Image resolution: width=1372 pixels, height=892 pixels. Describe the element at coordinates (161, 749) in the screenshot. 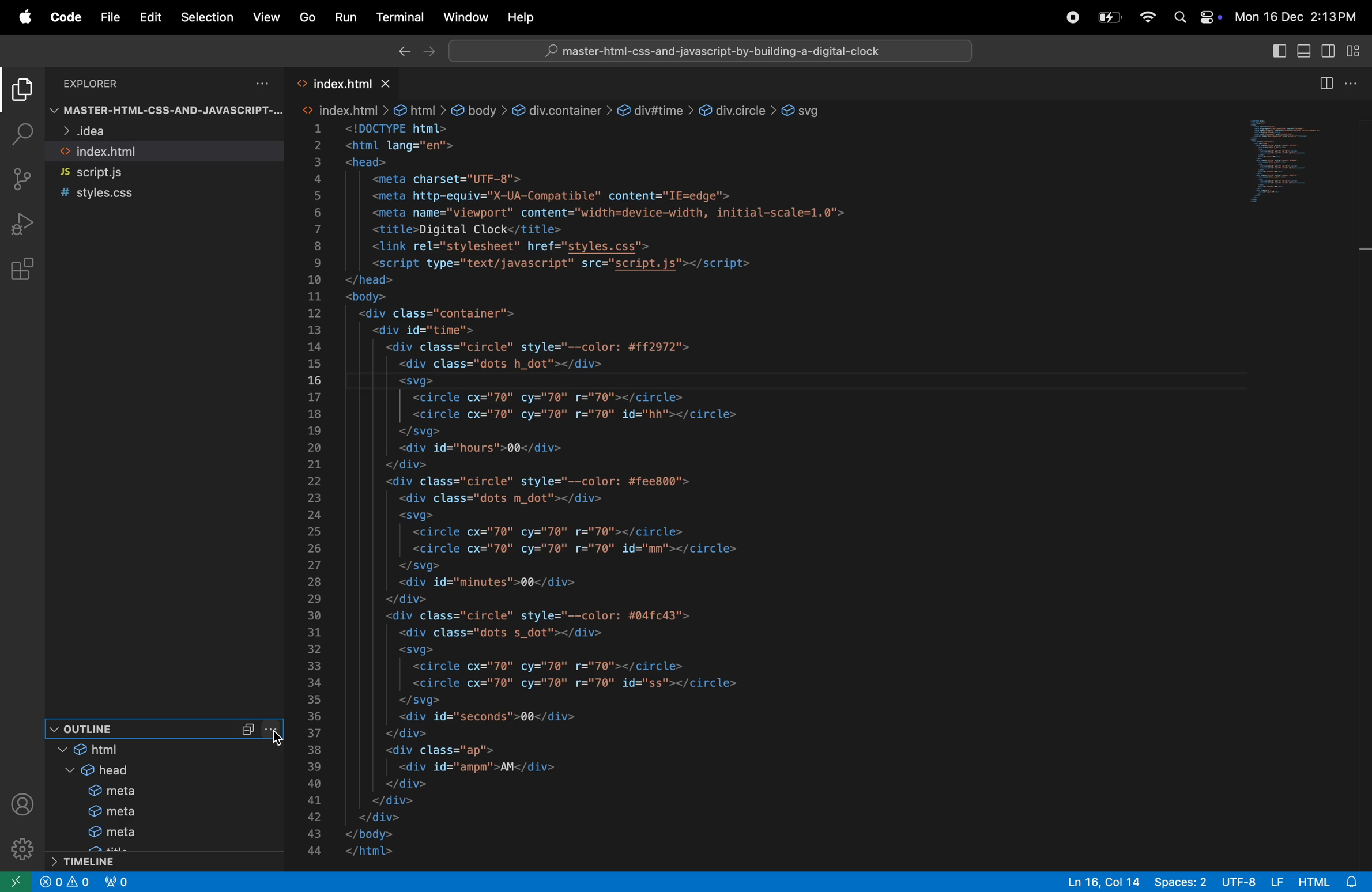

I see `html` at that location.